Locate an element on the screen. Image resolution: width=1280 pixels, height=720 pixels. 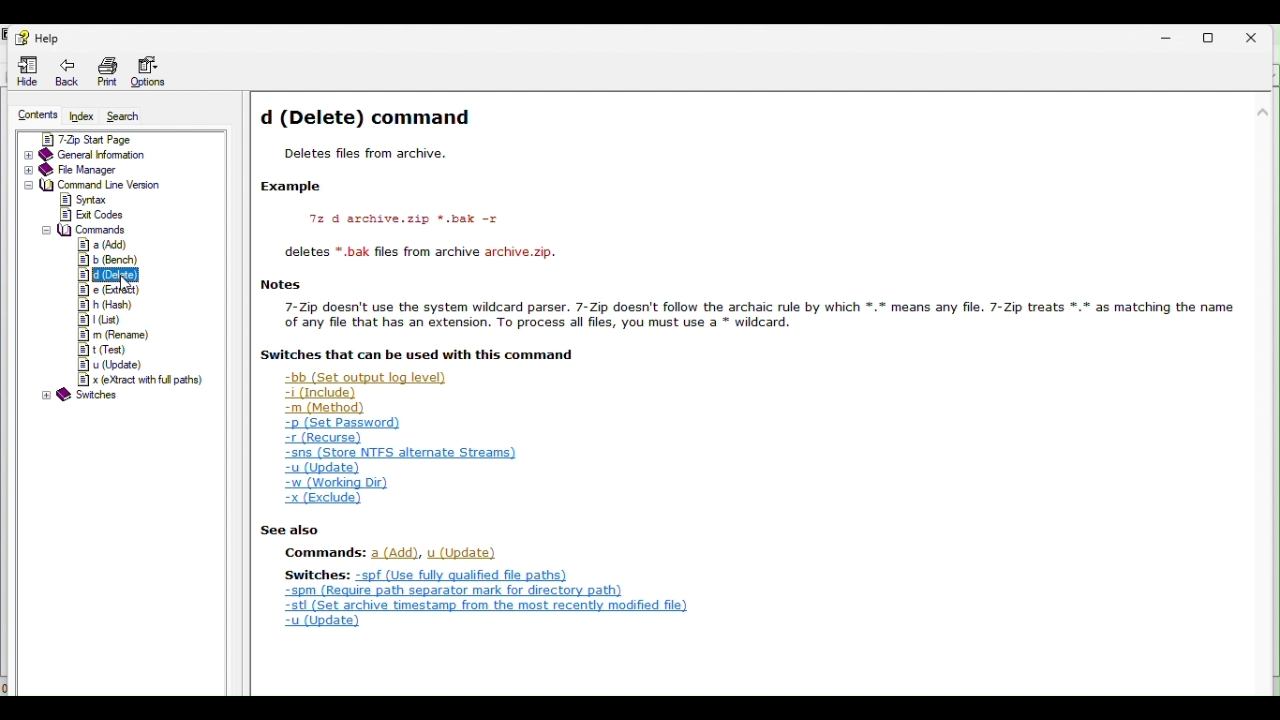
Search is located at coordinates (128, 116).